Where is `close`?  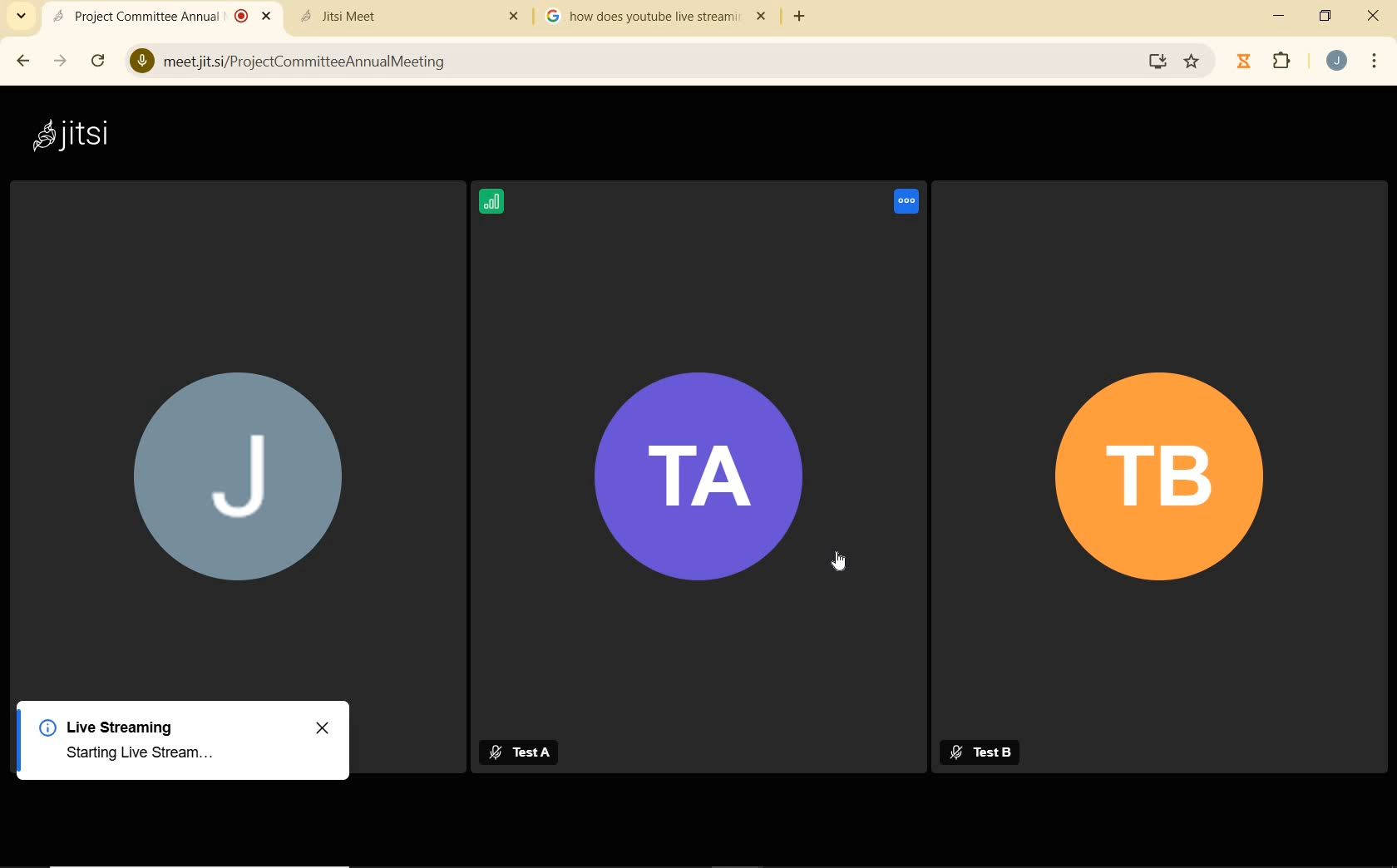
close is located at coordinates (319, 728).